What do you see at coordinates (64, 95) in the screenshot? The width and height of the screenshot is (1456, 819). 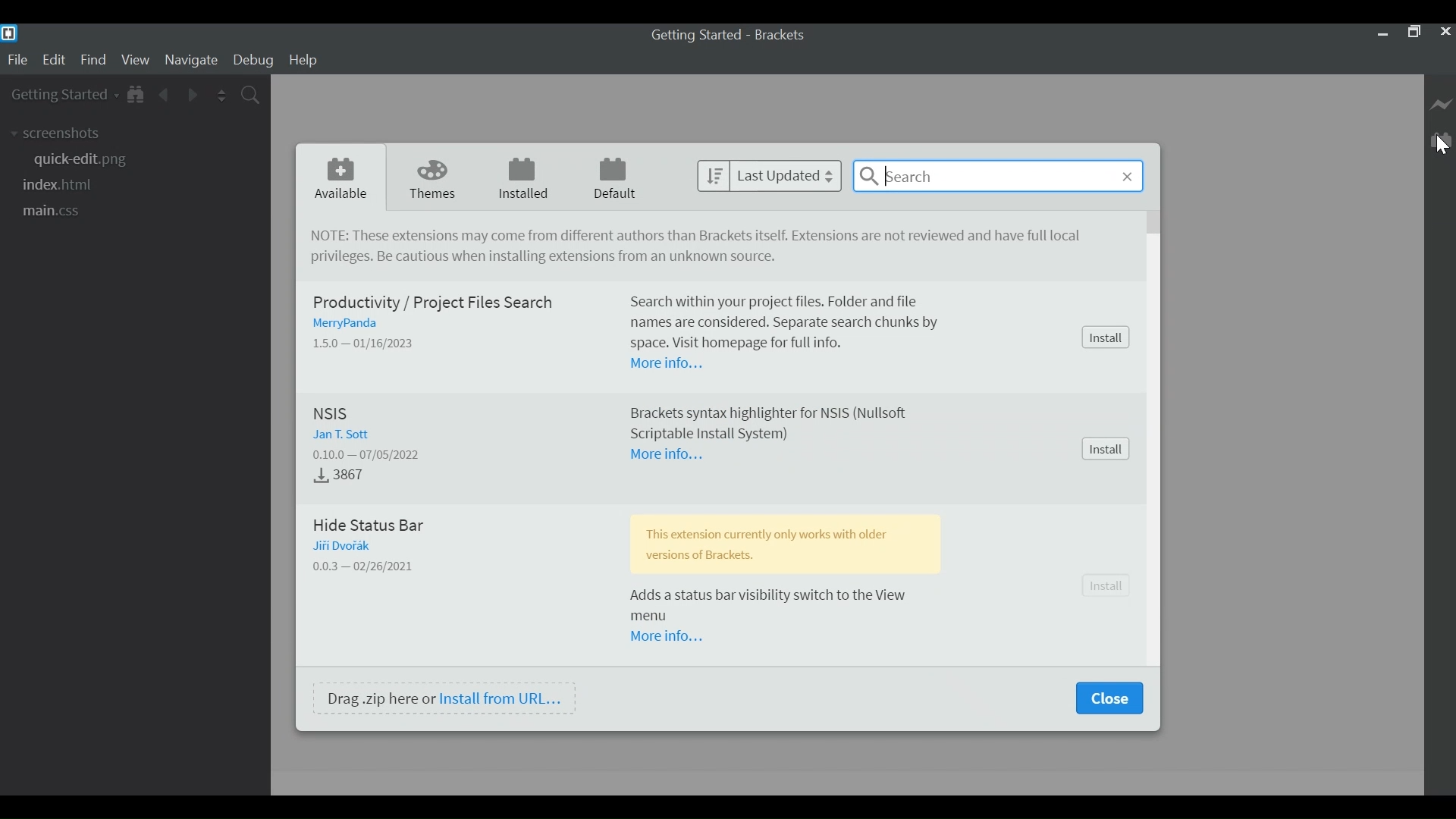 I see `Getting Started` at bounding box center [64, 95].